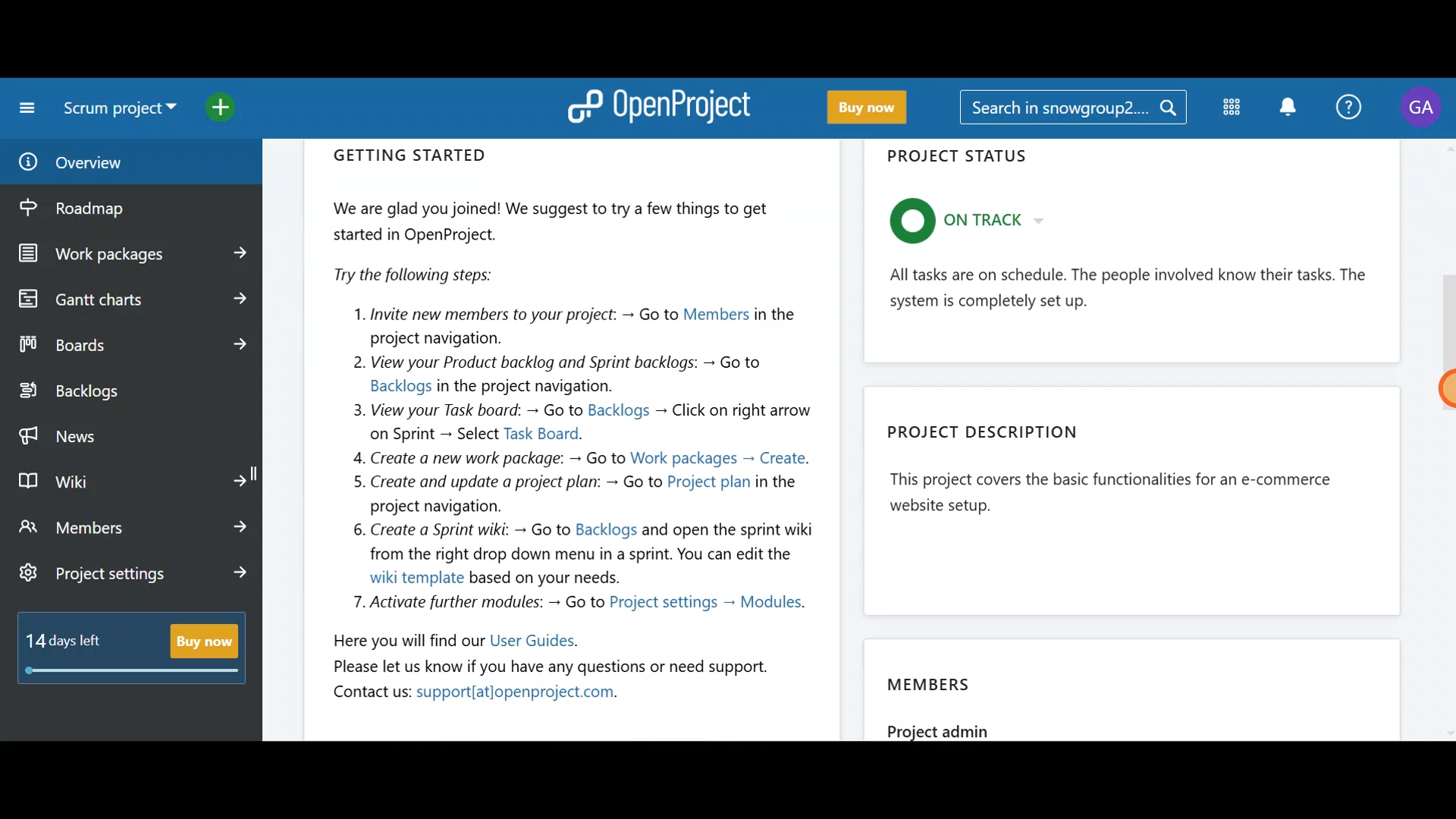  Describe the element at coordinates (131, 478) in the screenshot. I see `Wiki` at that location.